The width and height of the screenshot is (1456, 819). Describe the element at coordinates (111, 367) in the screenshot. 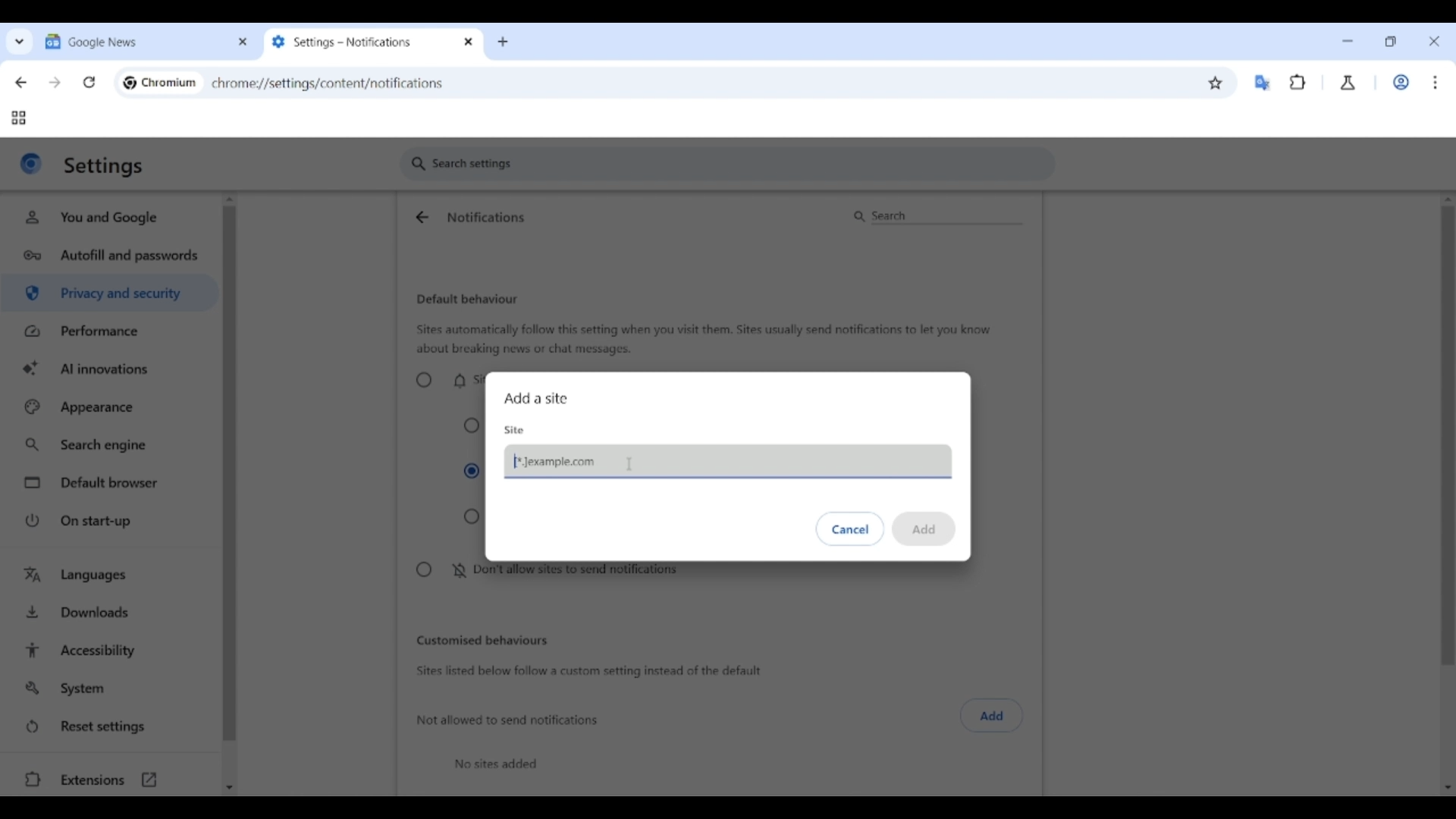

I see `AI innovations` at that location.